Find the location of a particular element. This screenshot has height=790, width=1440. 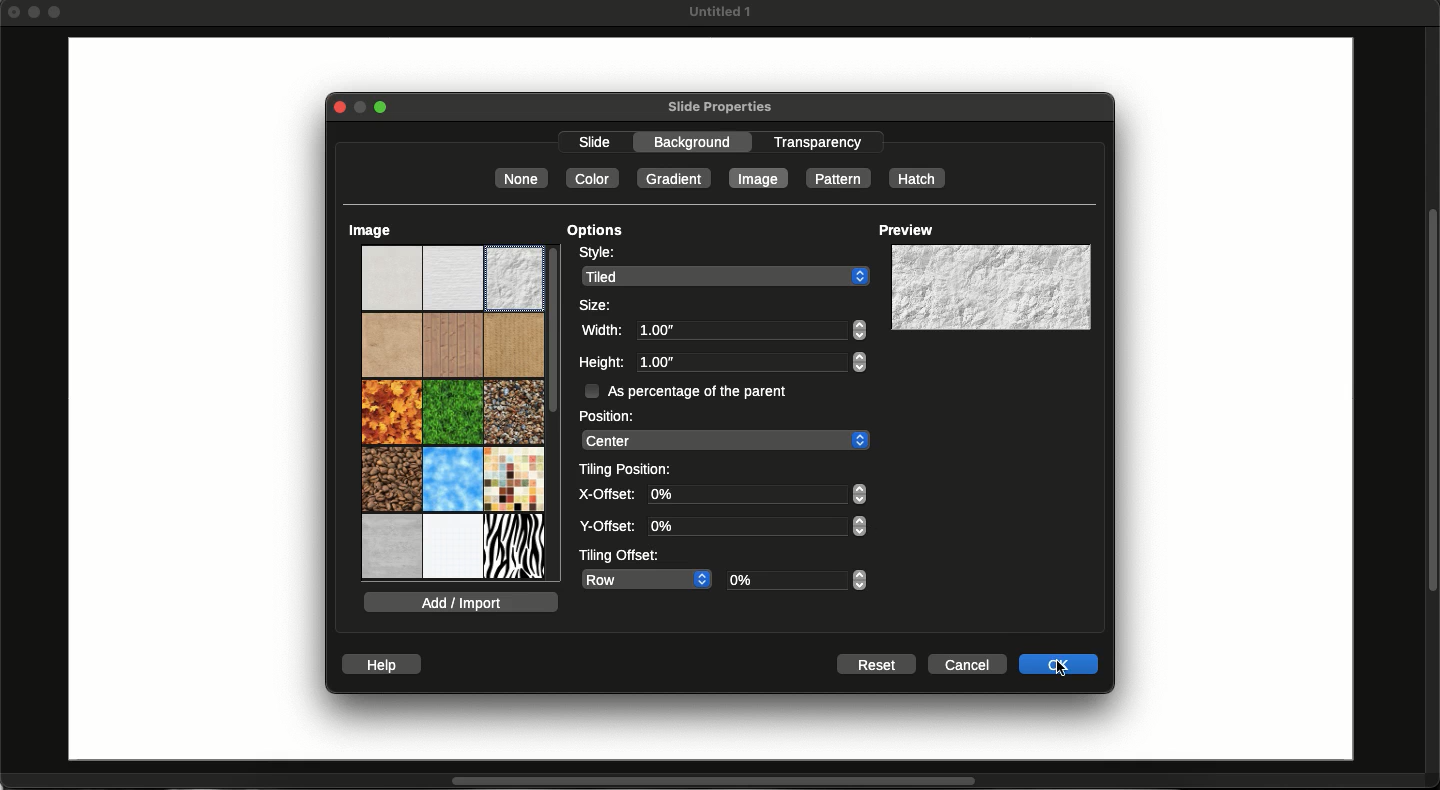

Options is located at coordinates (596, 231).